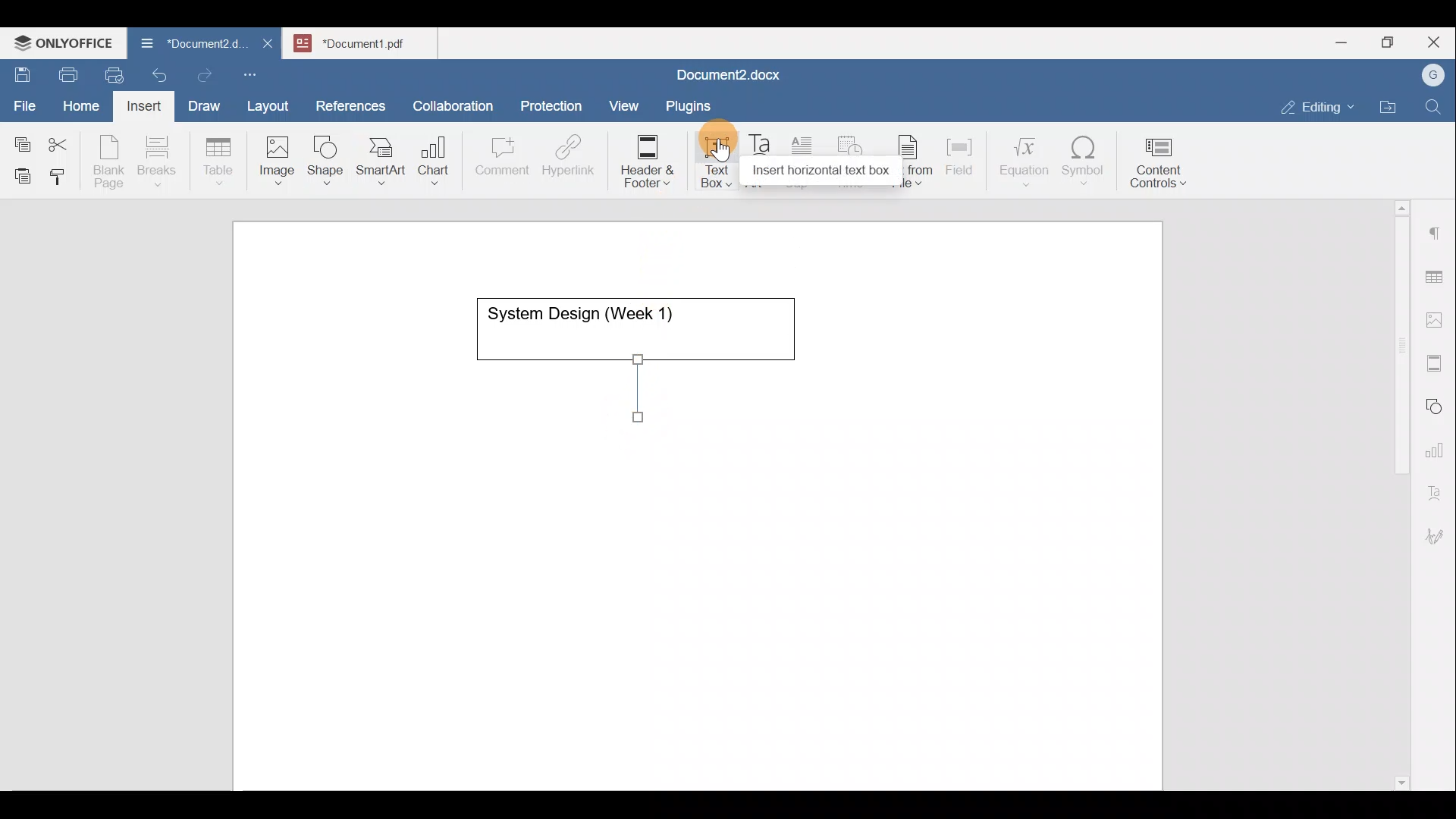 This screenshot has height=819, width=1456. Describe the element at coordinates (110, 73) in the screenshot. I see `Quick print` at that location.